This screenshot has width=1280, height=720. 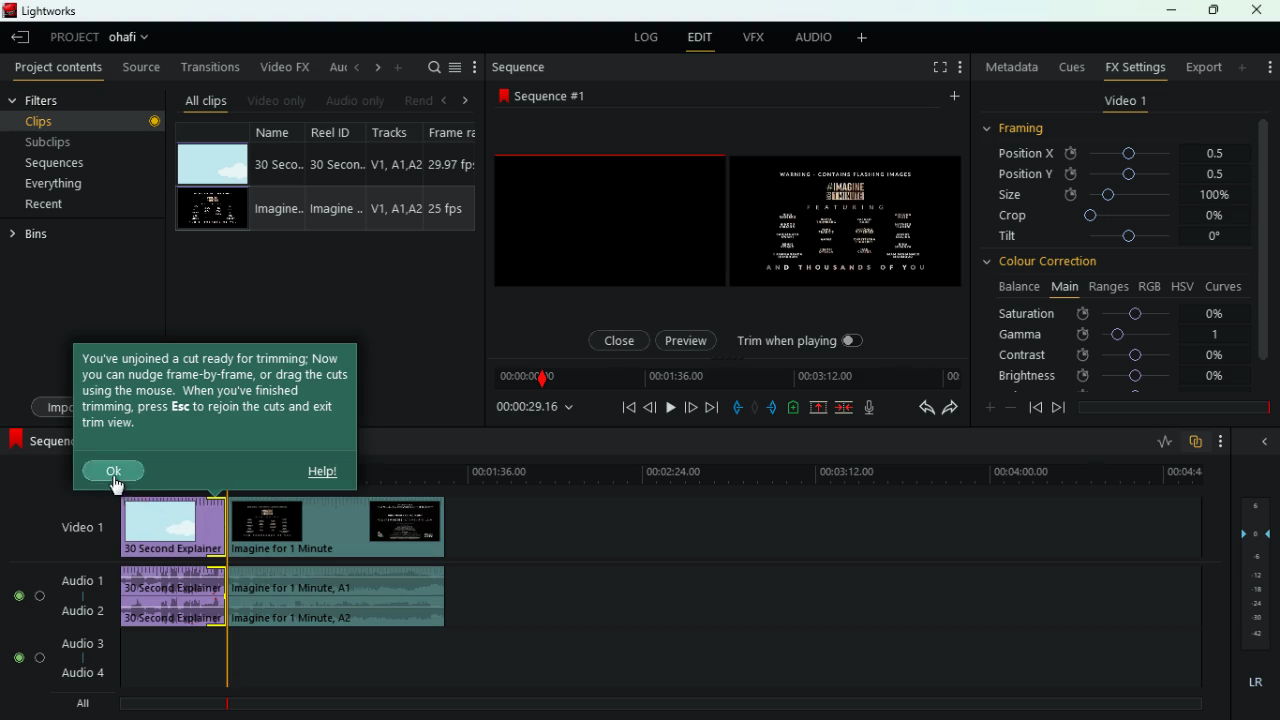 What do you see at coordinates (279, 178) in the screenshot?
I see `name` at bounding box center [279, 178].